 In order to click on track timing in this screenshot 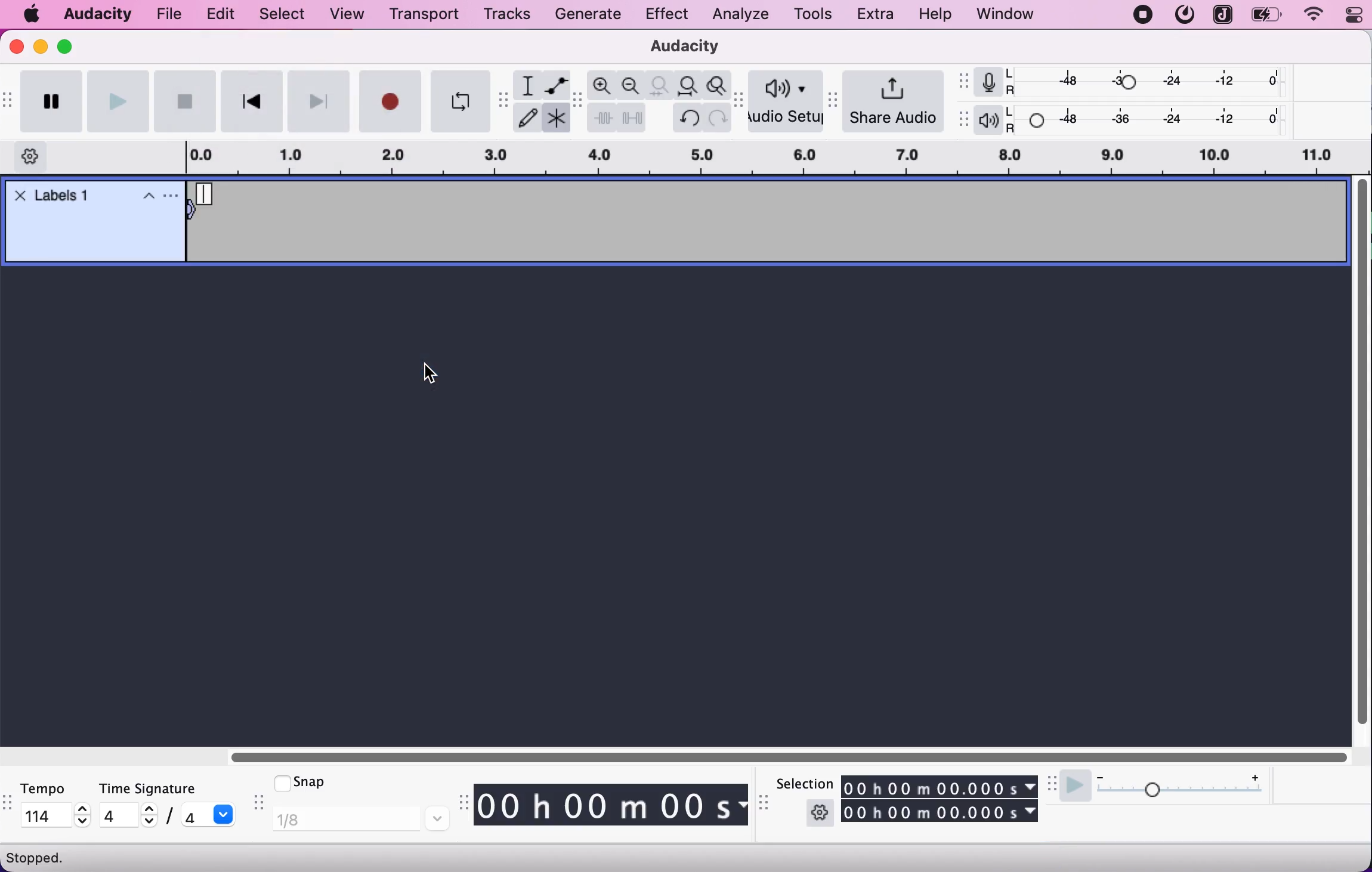, I will do `click(941, 784)`.